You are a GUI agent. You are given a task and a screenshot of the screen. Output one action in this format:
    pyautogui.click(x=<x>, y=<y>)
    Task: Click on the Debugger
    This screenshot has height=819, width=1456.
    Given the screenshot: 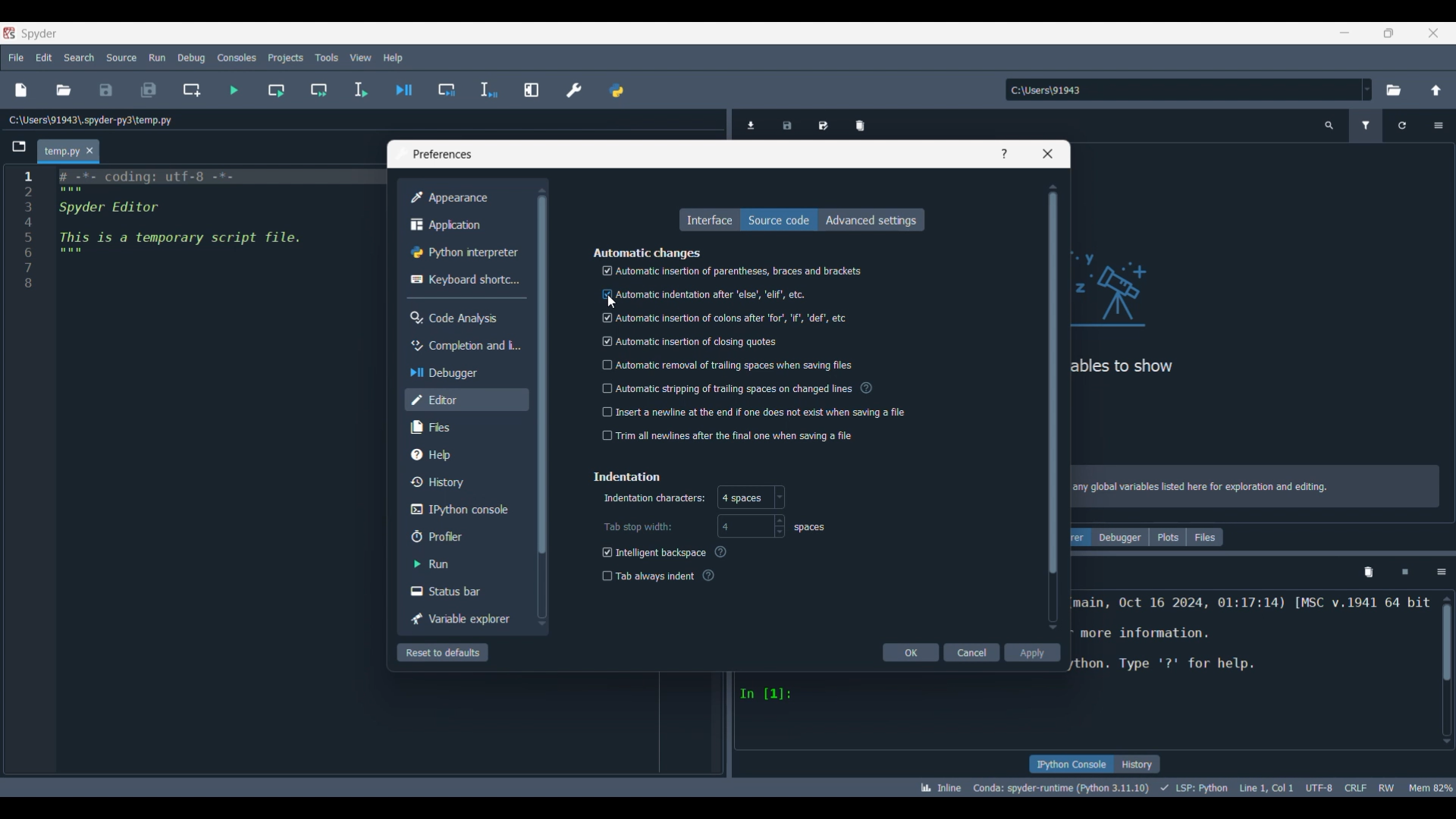 What is the action you would take?
    pyautogui.click(x=1120, y=537)
    